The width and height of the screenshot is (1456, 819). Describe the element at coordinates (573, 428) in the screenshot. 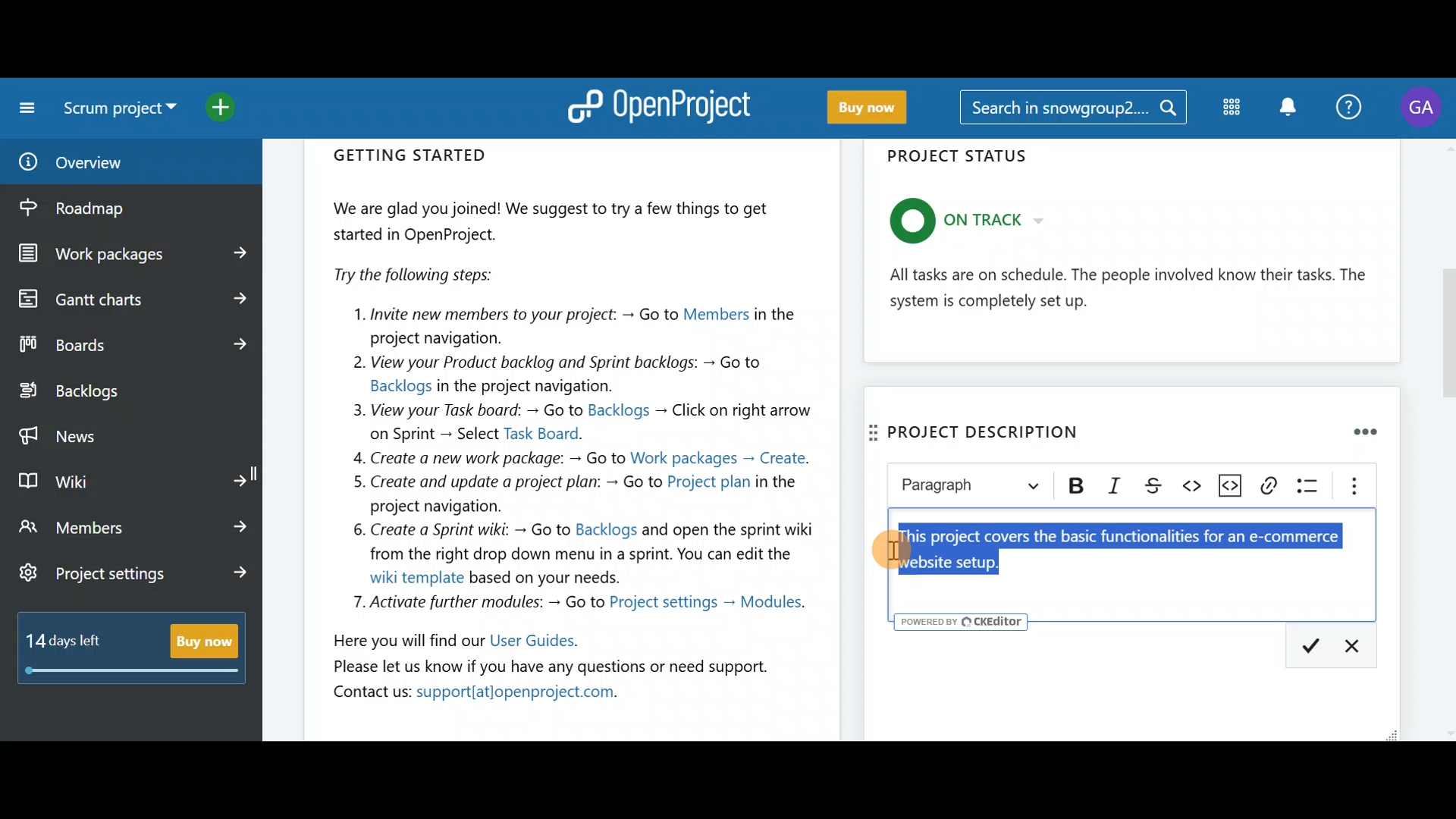

I see `Getting started` at that location.